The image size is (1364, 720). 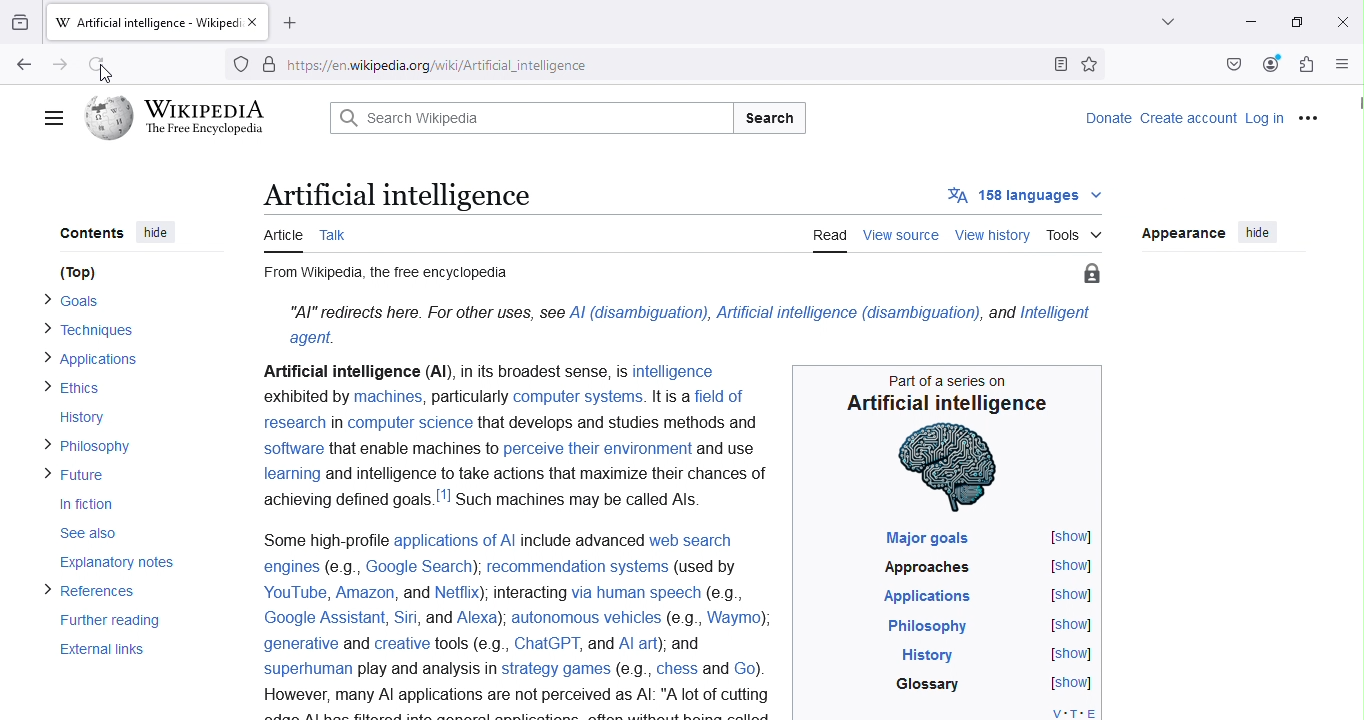 I want to click on Further reading, so click(x=105, y=618).